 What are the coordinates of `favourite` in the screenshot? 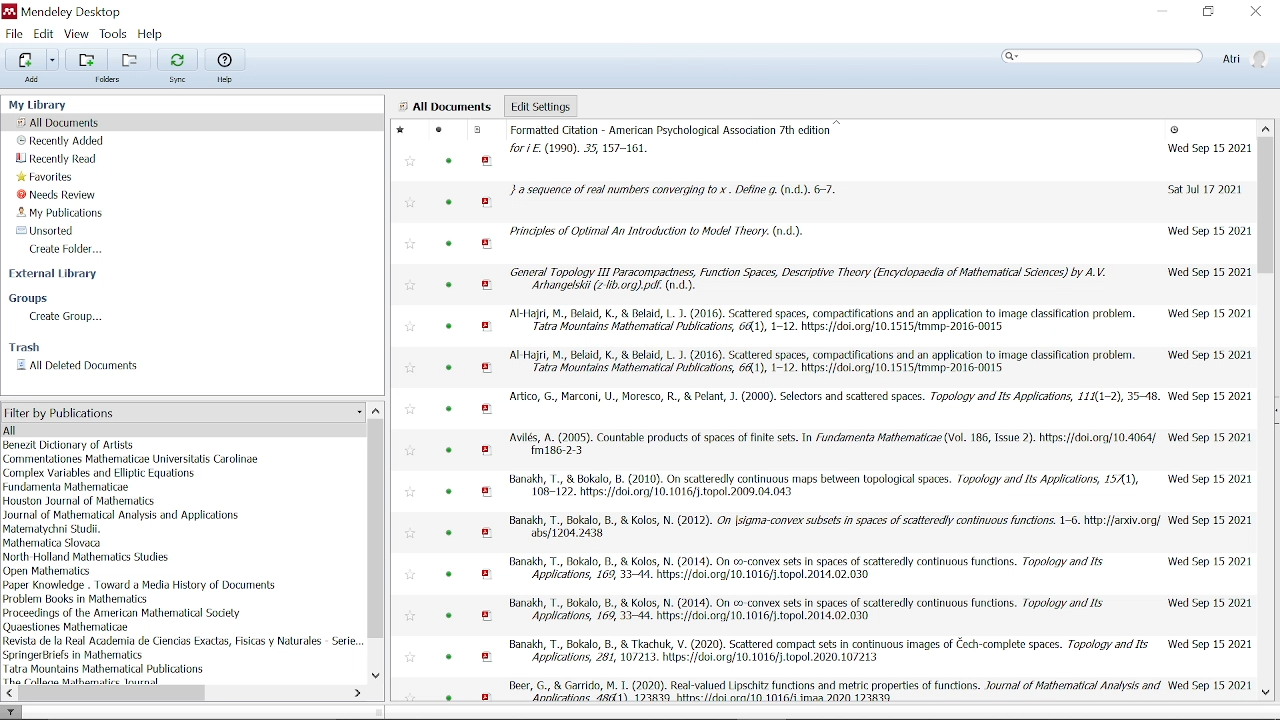 It's located at (412, 328).